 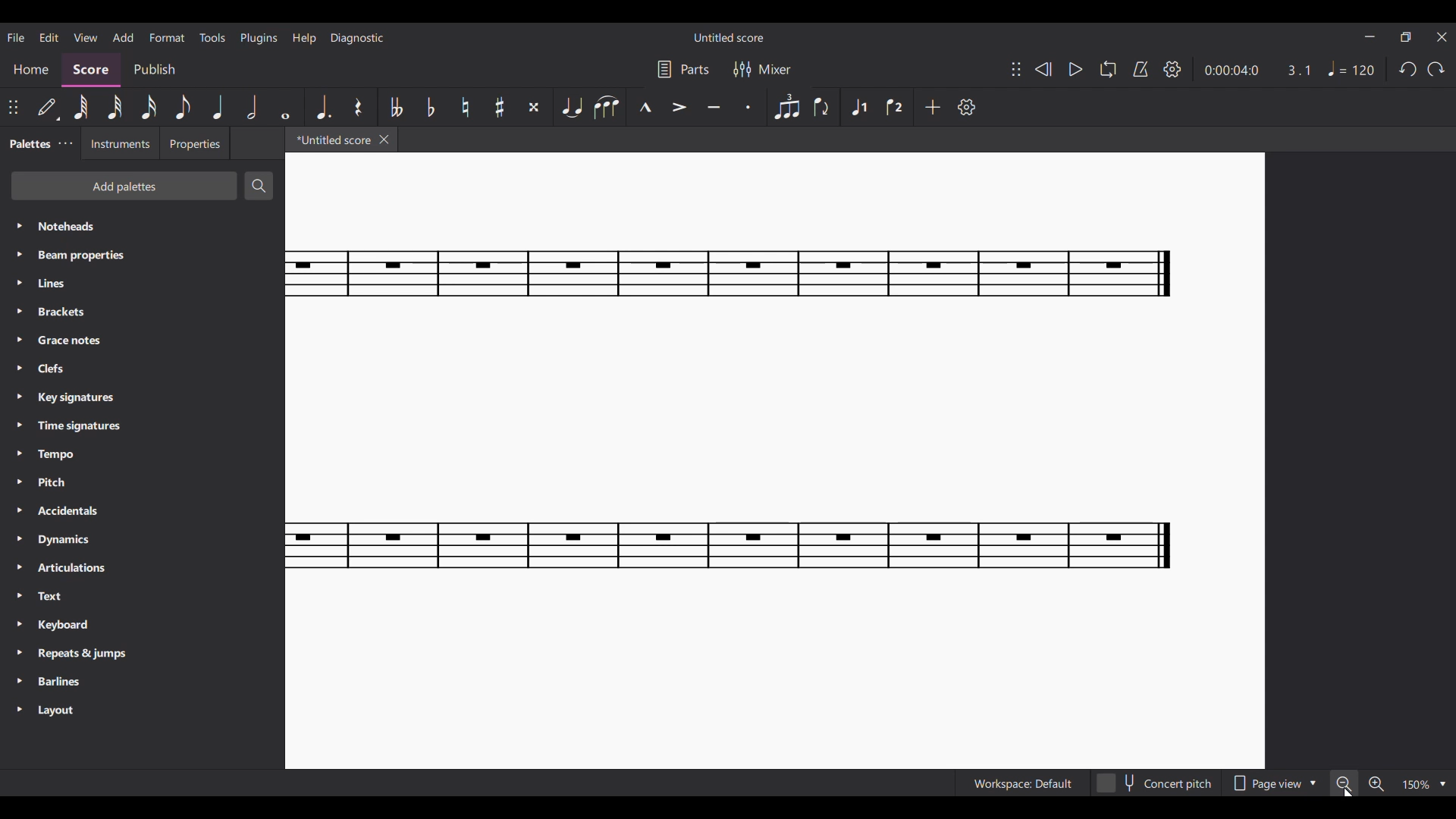 I want to click on Publish section, so click(x=155, y=70).